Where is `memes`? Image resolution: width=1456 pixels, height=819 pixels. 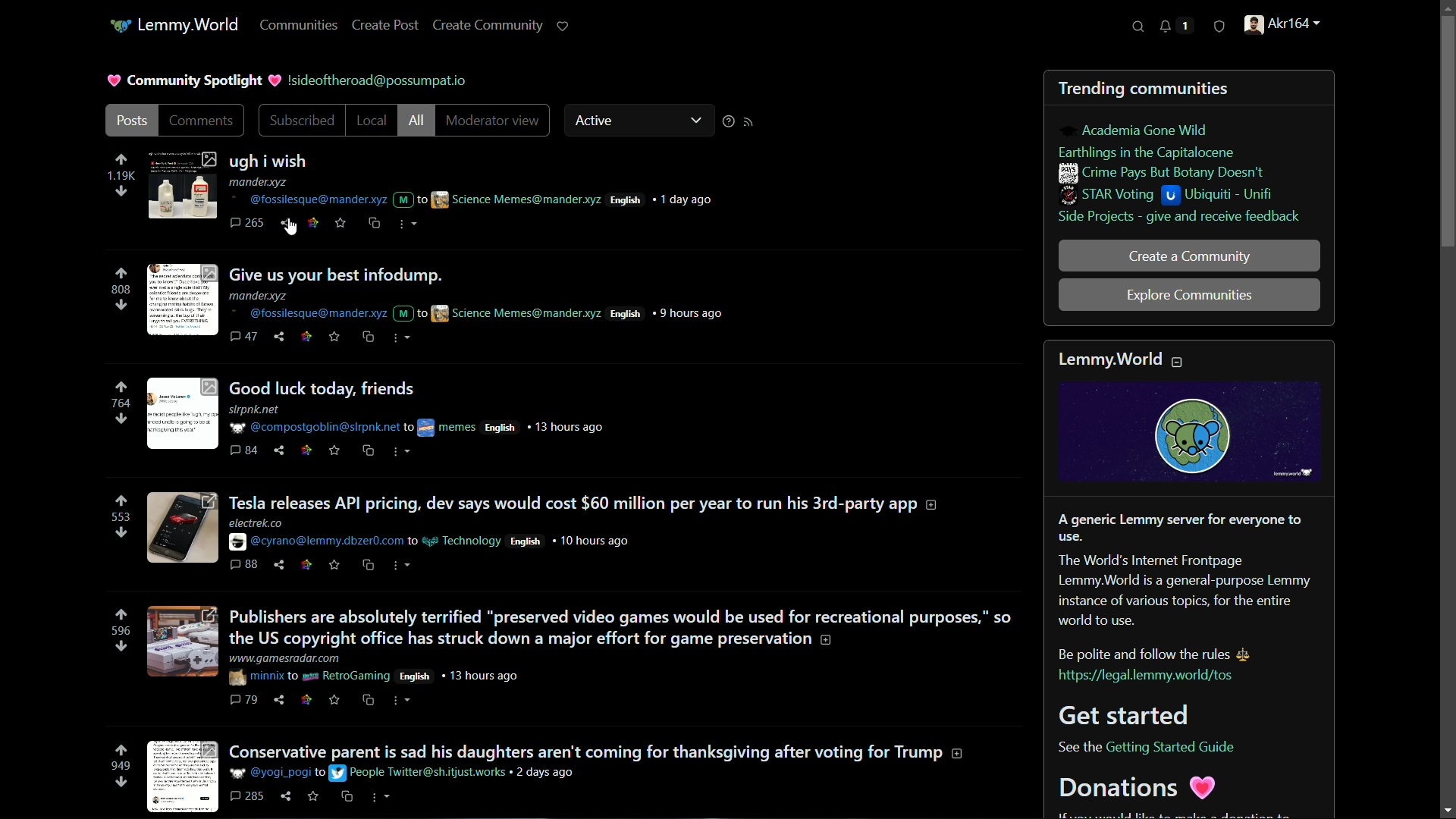
memes is located at coordinates (447, 428).